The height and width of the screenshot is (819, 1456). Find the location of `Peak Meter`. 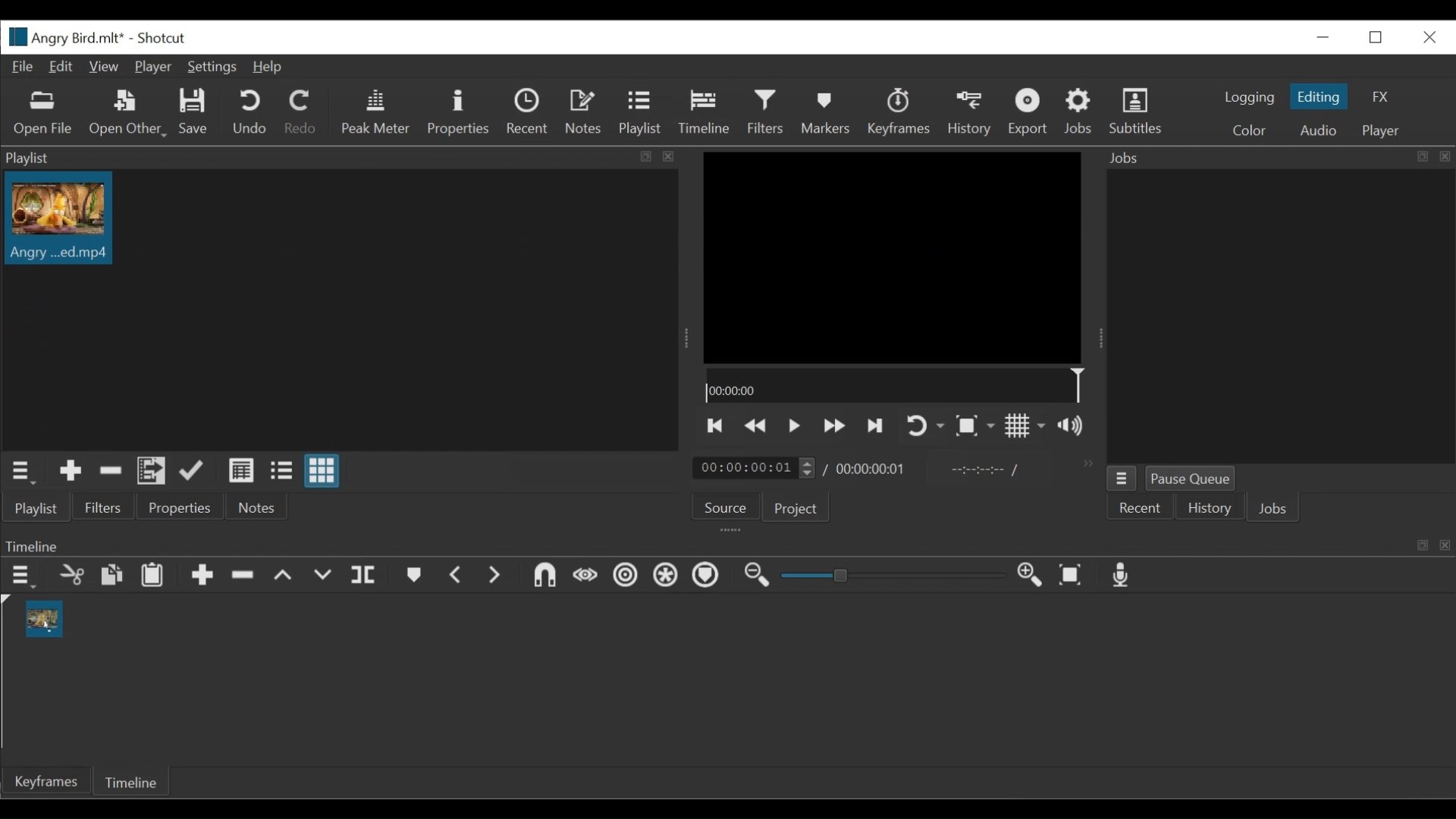

Peak Meter is located at coordinates (374, 112).